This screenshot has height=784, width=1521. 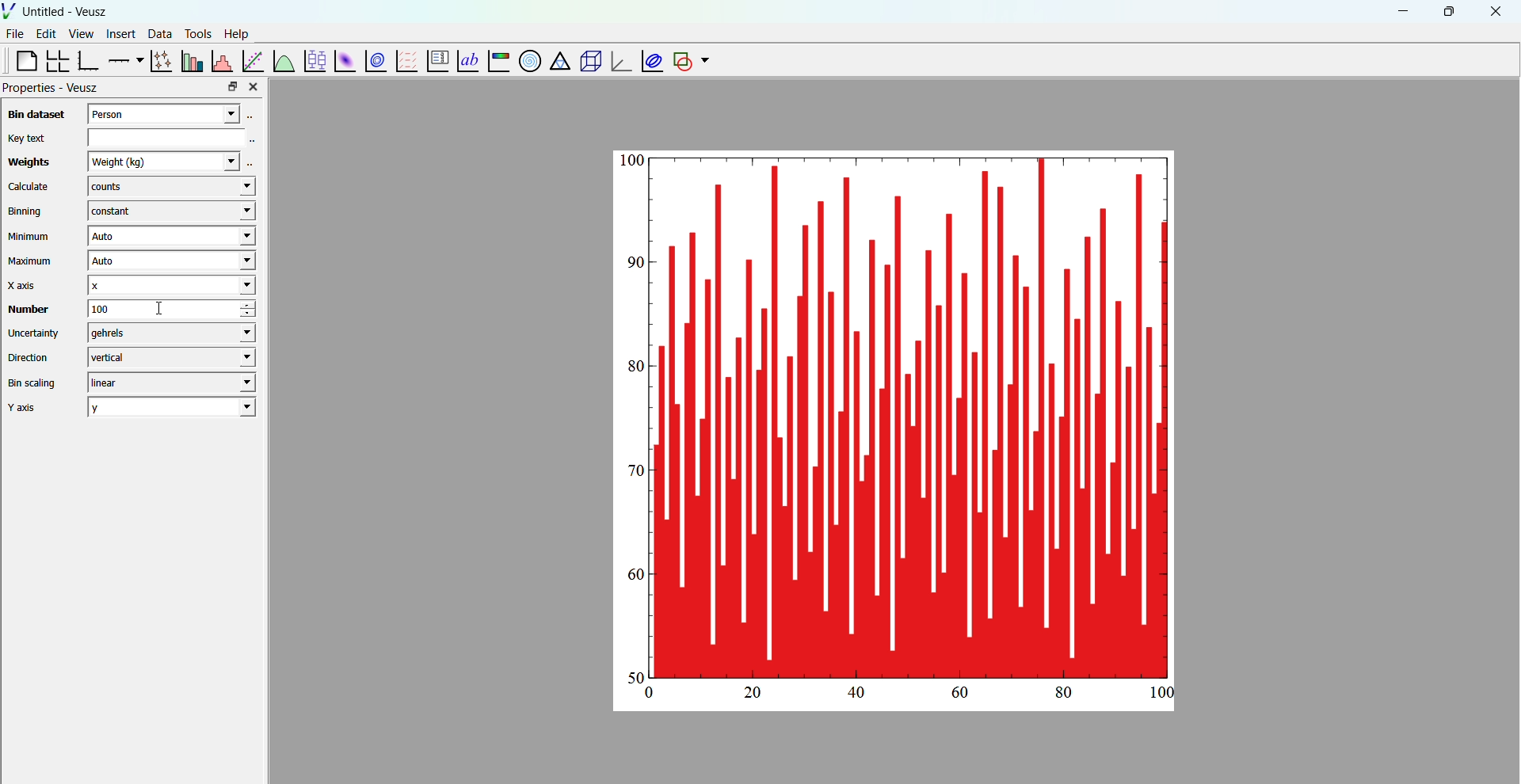 What do you see at coordinates (81, 36) in the screenshot?
I see `view` at bounding box center [81, 36].